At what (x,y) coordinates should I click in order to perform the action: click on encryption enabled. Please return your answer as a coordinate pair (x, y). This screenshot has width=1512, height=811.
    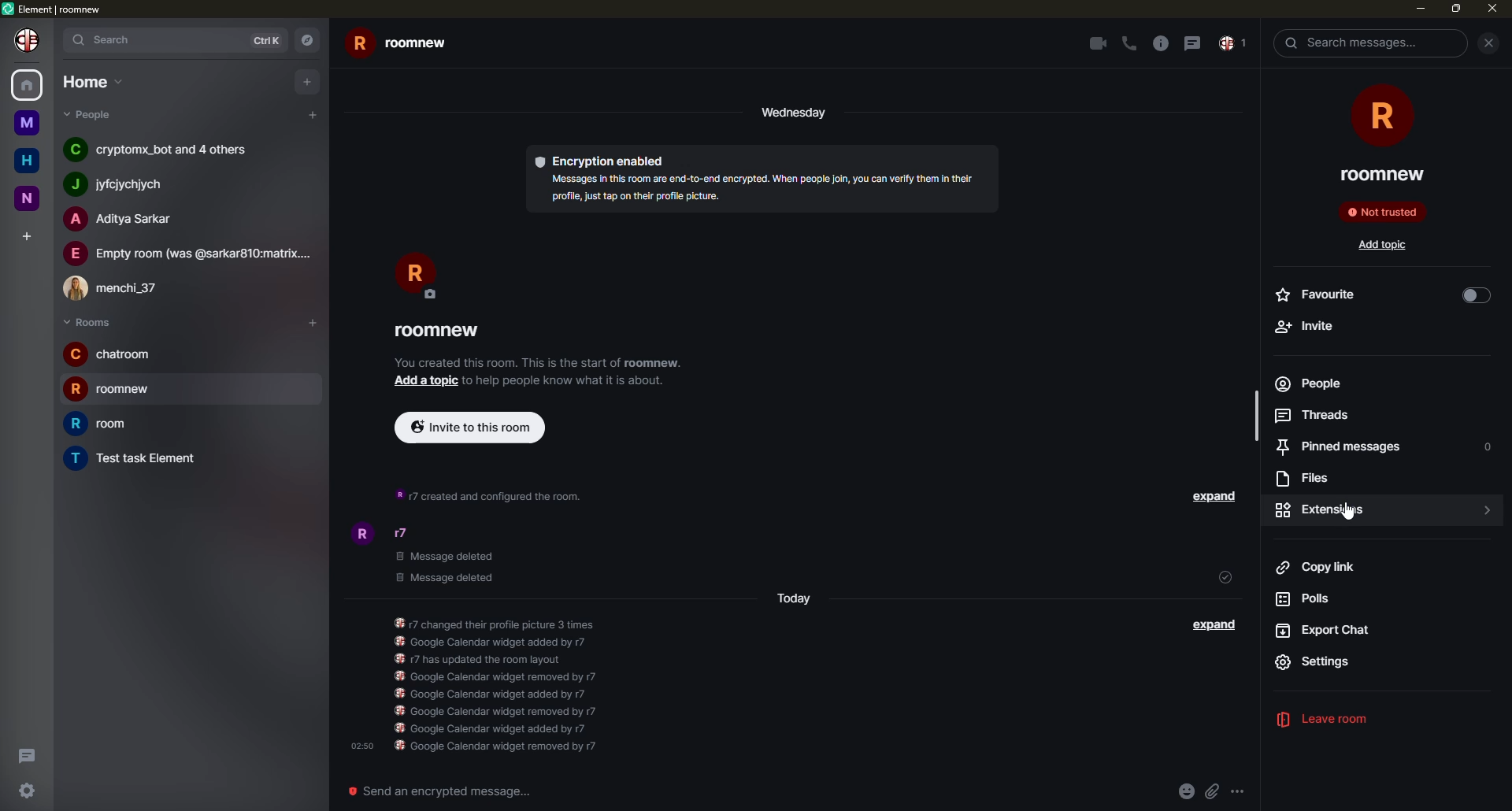
    Looking at the image, I should click on (602, 161).